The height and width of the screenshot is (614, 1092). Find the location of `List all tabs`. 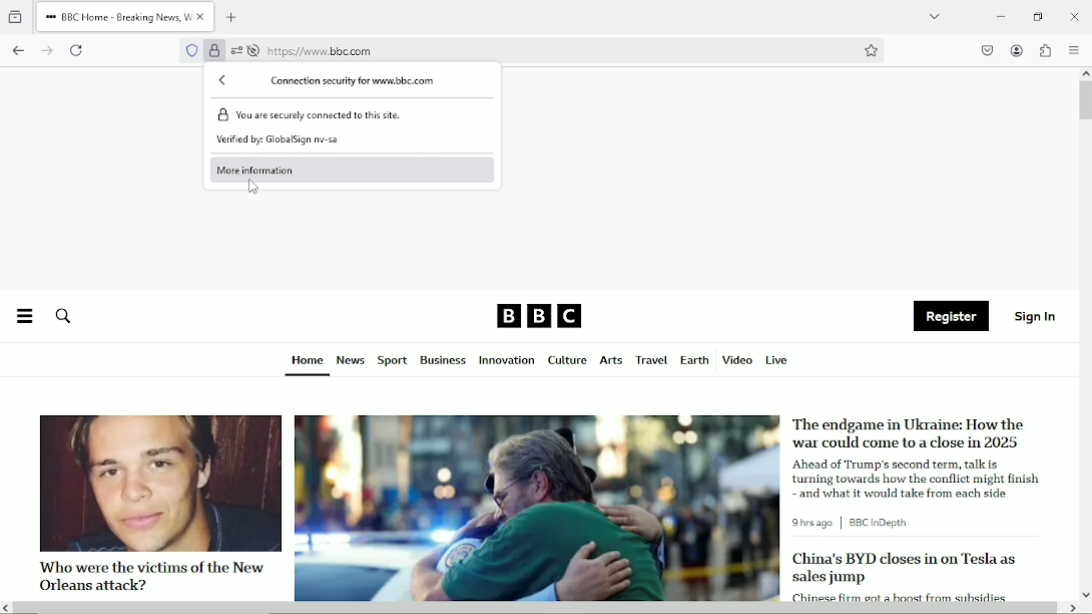

List all tabs is located at coordinates (932, 16).